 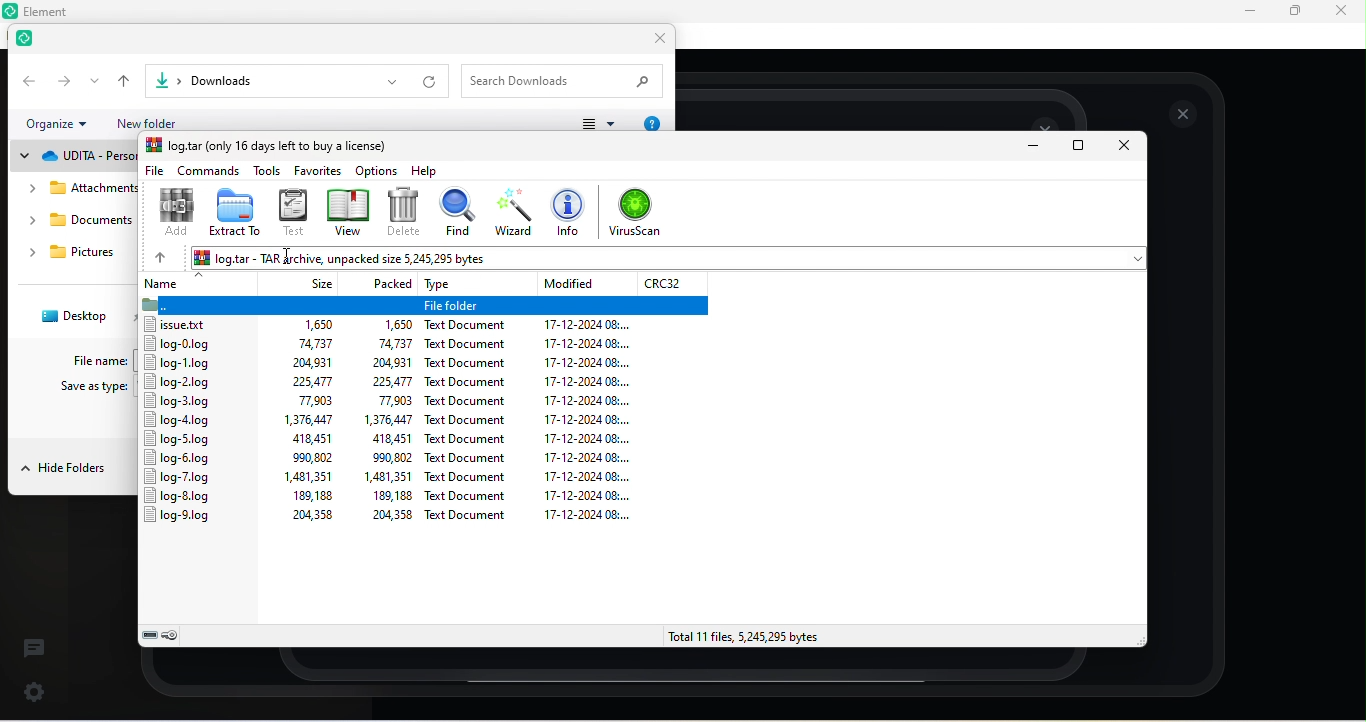 I want to click on 17-12-2024 08:..., so click(x=589, y=381).